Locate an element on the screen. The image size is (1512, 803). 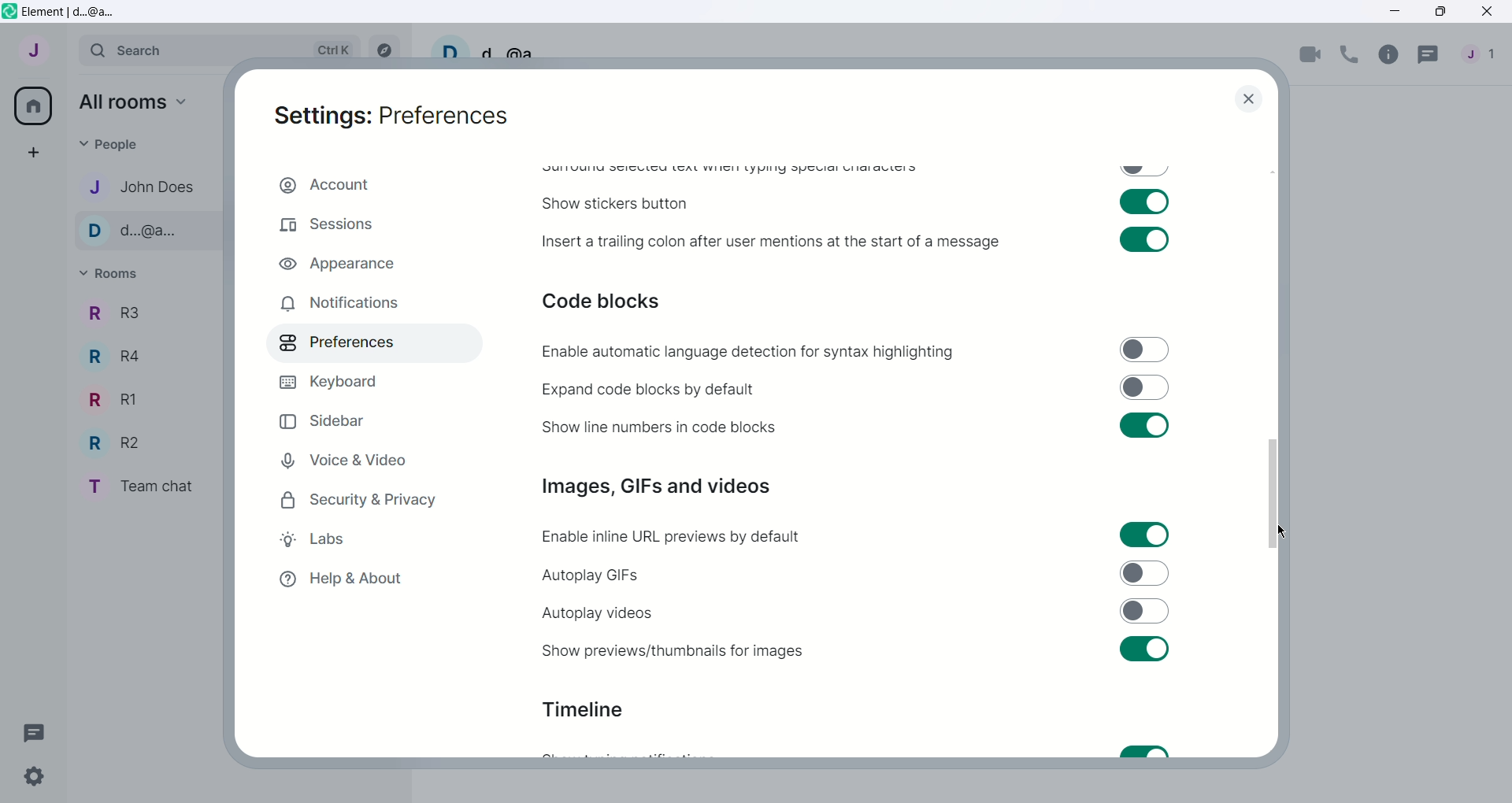
Show stickers button is located at coordinates (614, 204).